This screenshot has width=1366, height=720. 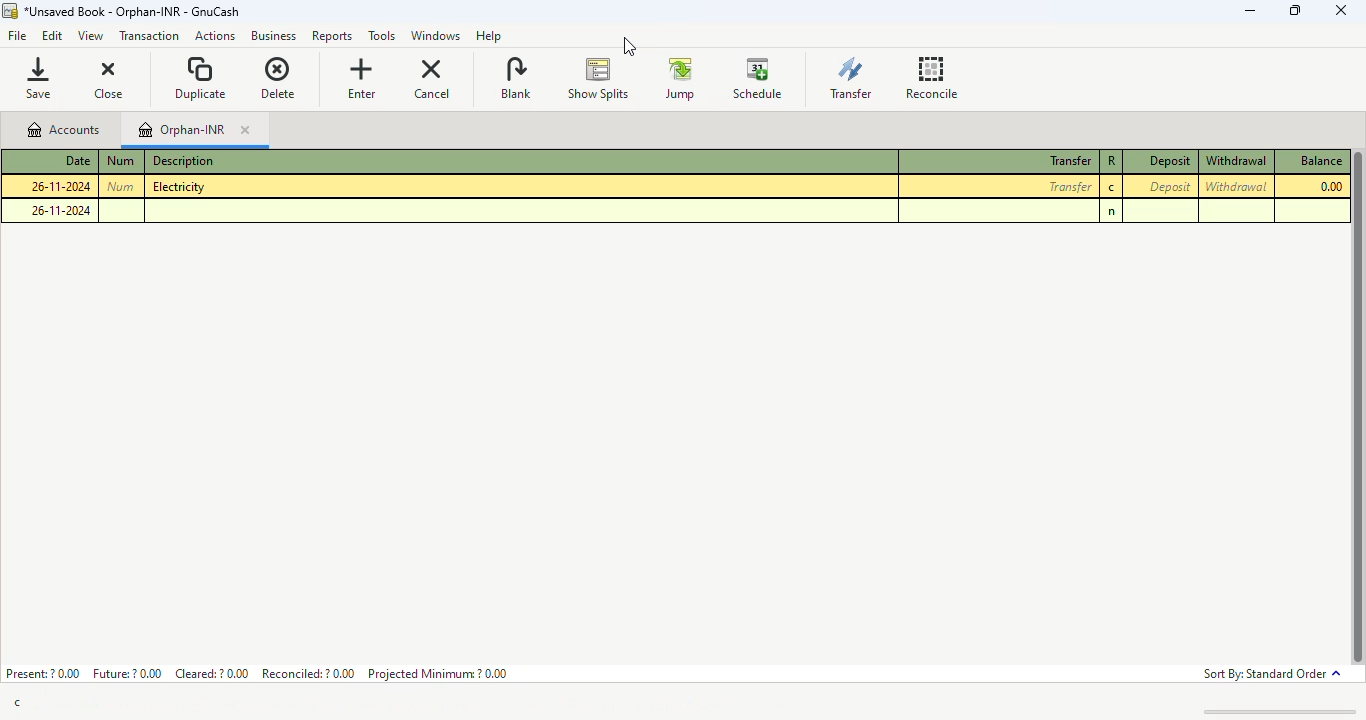 I want to click on cleared, so click(x=1112, y=188).